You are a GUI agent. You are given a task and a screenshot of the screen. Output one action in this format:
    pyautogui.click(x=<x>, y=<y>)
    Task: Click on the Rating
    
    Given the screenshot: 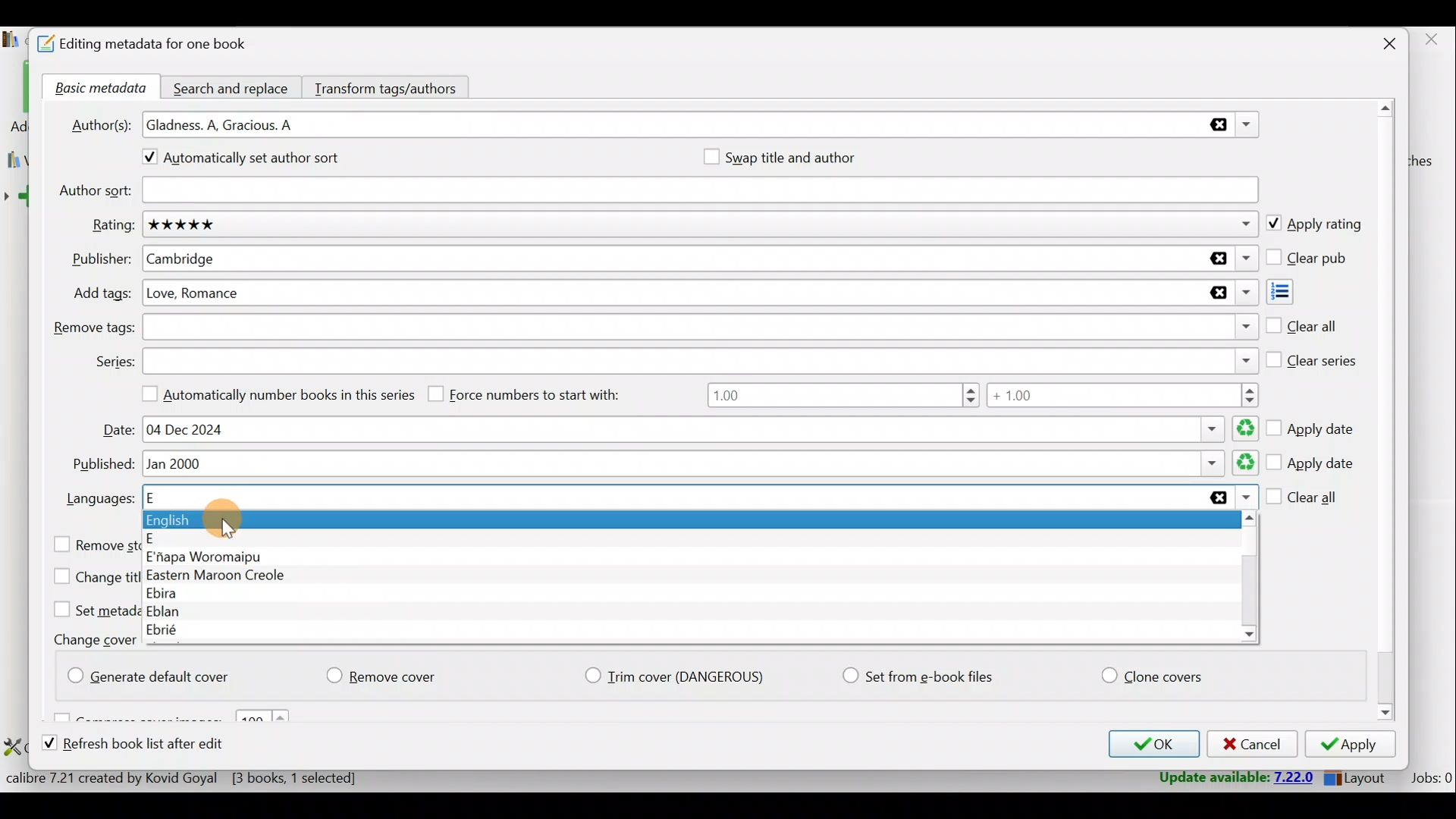 What is the action you would take?
    pyautogui.click(x=703, y=227)
    